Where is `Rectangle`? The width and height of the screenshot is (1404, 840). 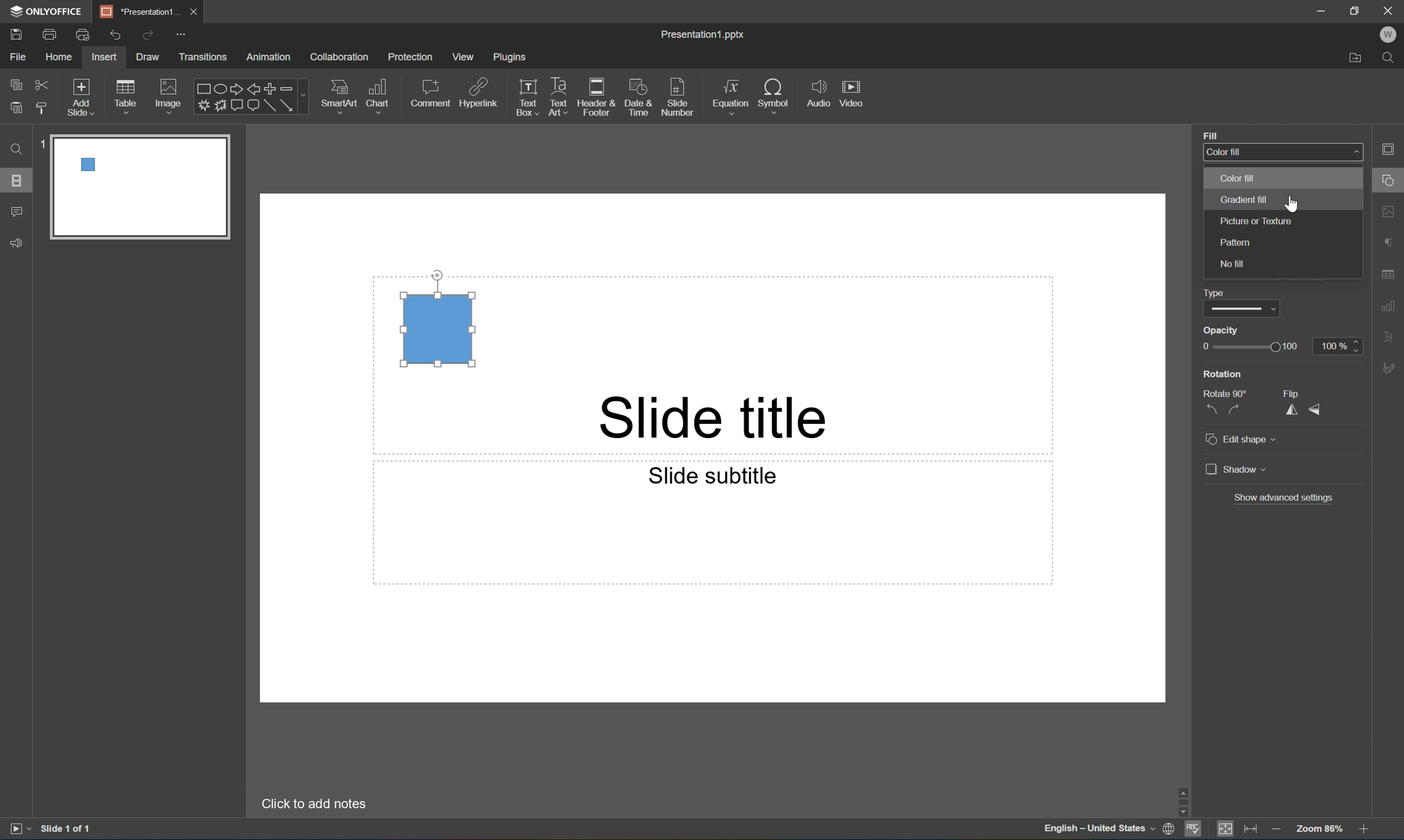 Rectangle is located at coordinates (201, 89).